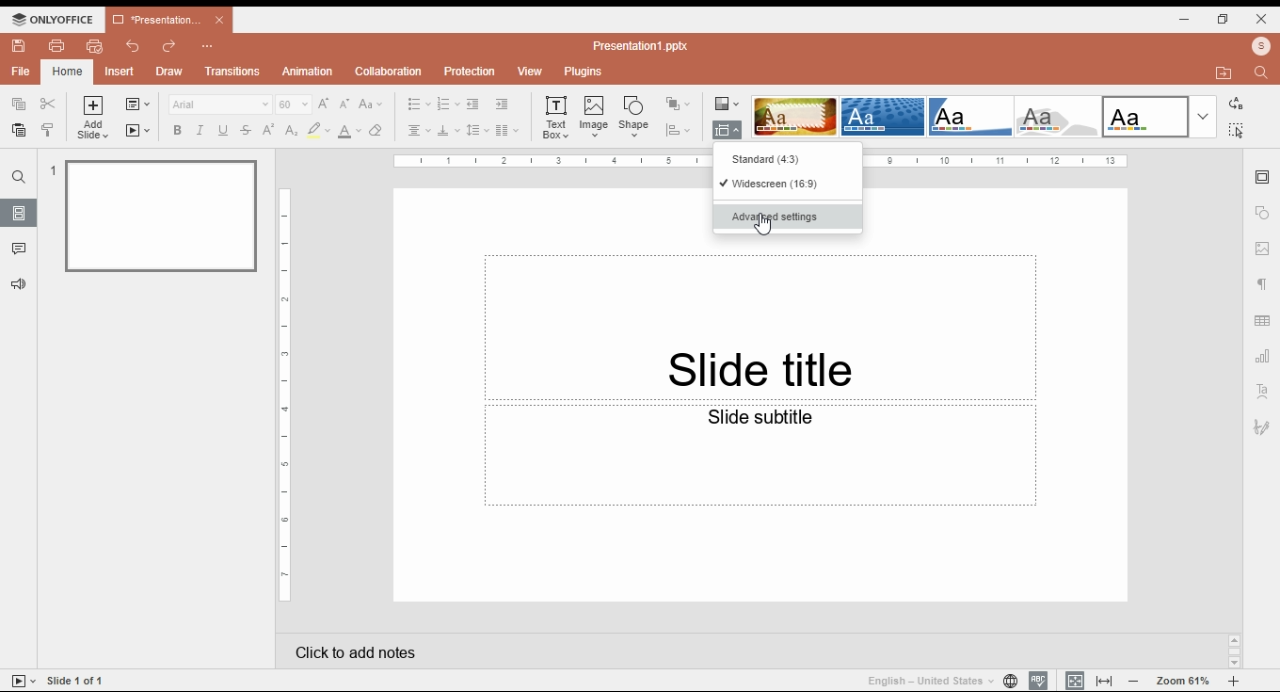  What do you see at coordinates (795, 116) in the screenshot?
I see `slide them option` at bounding box center [795, 116].